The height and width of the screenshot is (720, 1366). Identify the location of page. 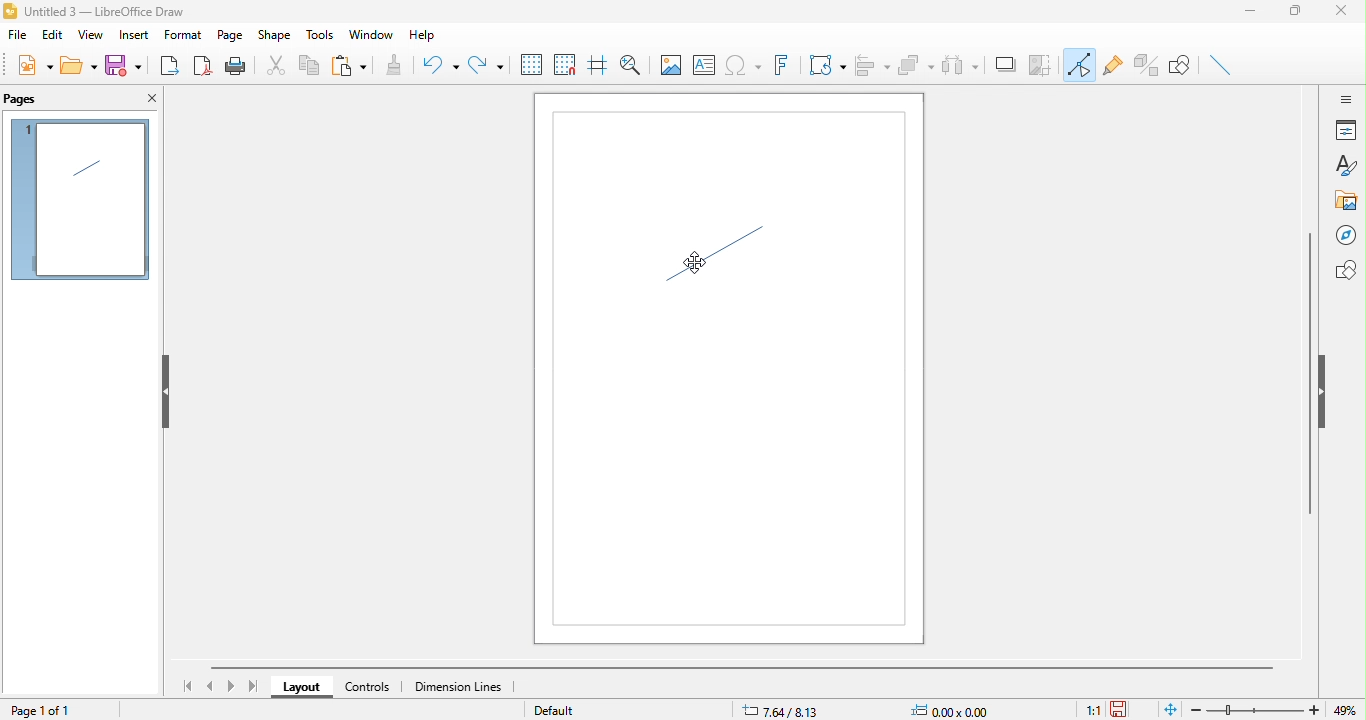
(230, 36).